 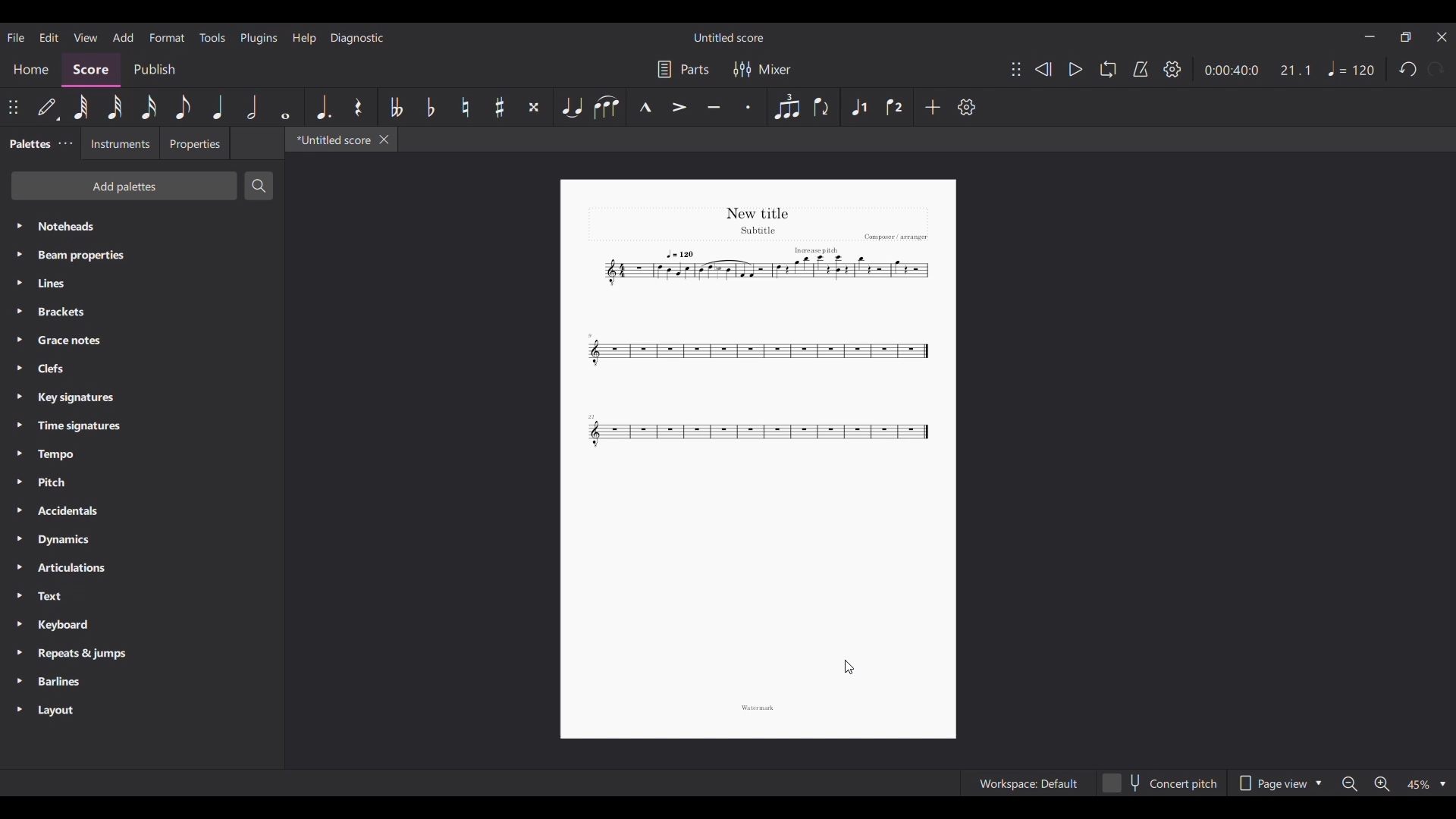 What do you see at coordinates (1406, 36) in the screenshot?
I see `Show in smaller tab` at bounding box center [1406, 36].